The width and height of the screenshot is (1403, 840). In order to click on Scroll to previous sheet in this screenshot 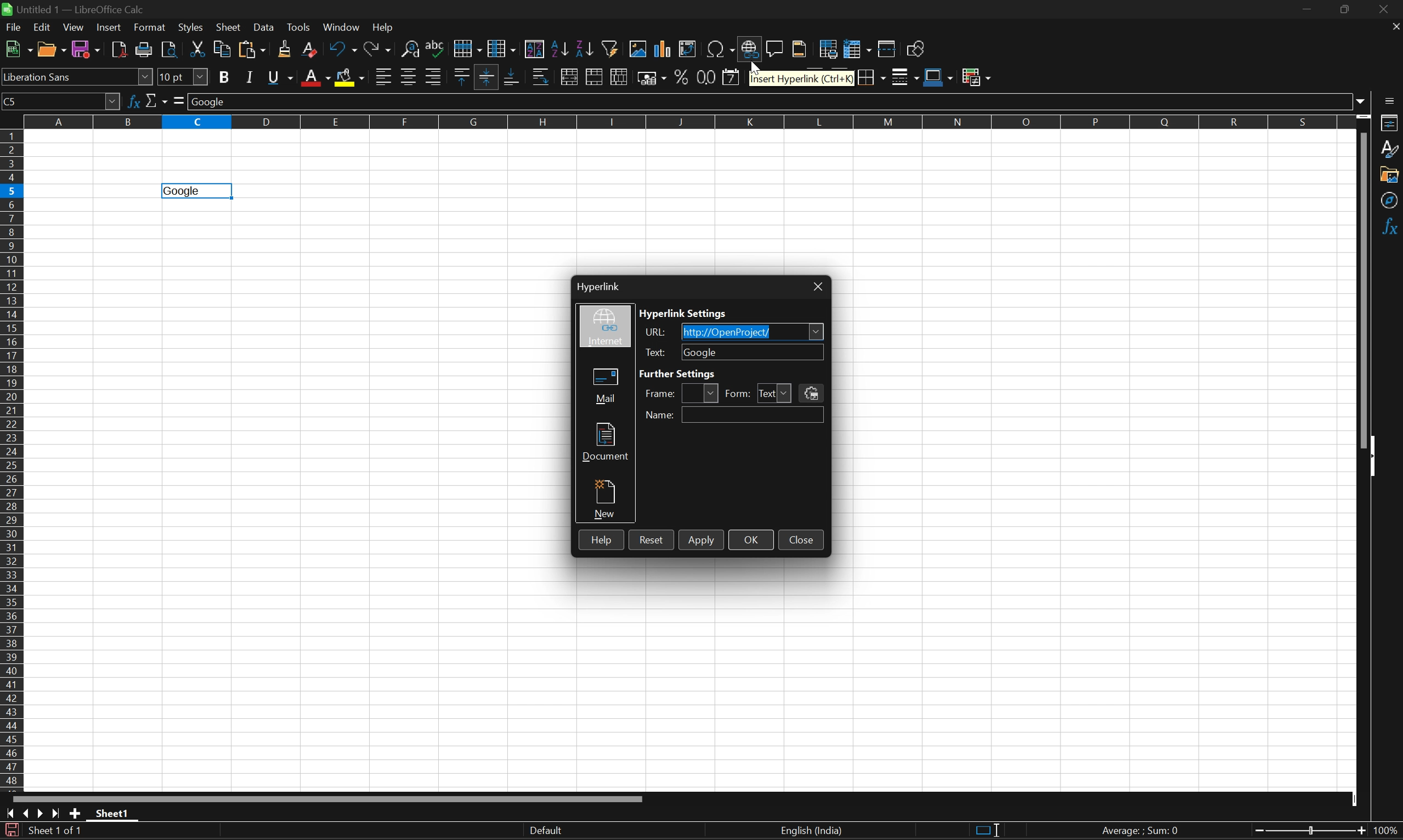, I will do `click(27, 813)`.